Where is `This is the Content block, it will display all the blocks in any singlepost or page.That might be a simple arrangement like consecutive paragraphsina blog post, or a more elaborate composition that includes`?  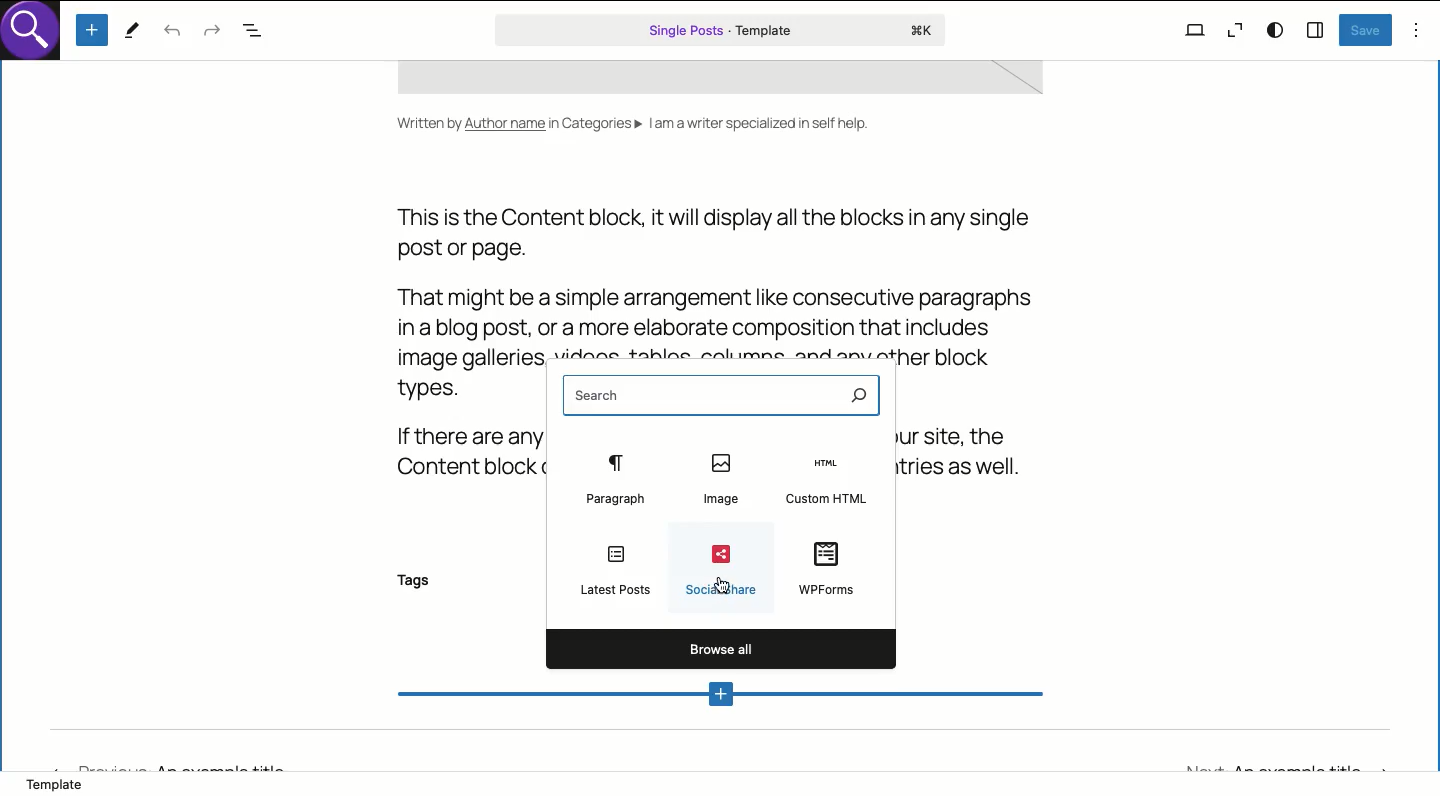
This is the Content block, it will display all the blocks in any singlepost or page.That might be a simple arrangement like consecutive paragraphsina blog post, or a more elaborate composition that includes is located at coordinates (712, 267).